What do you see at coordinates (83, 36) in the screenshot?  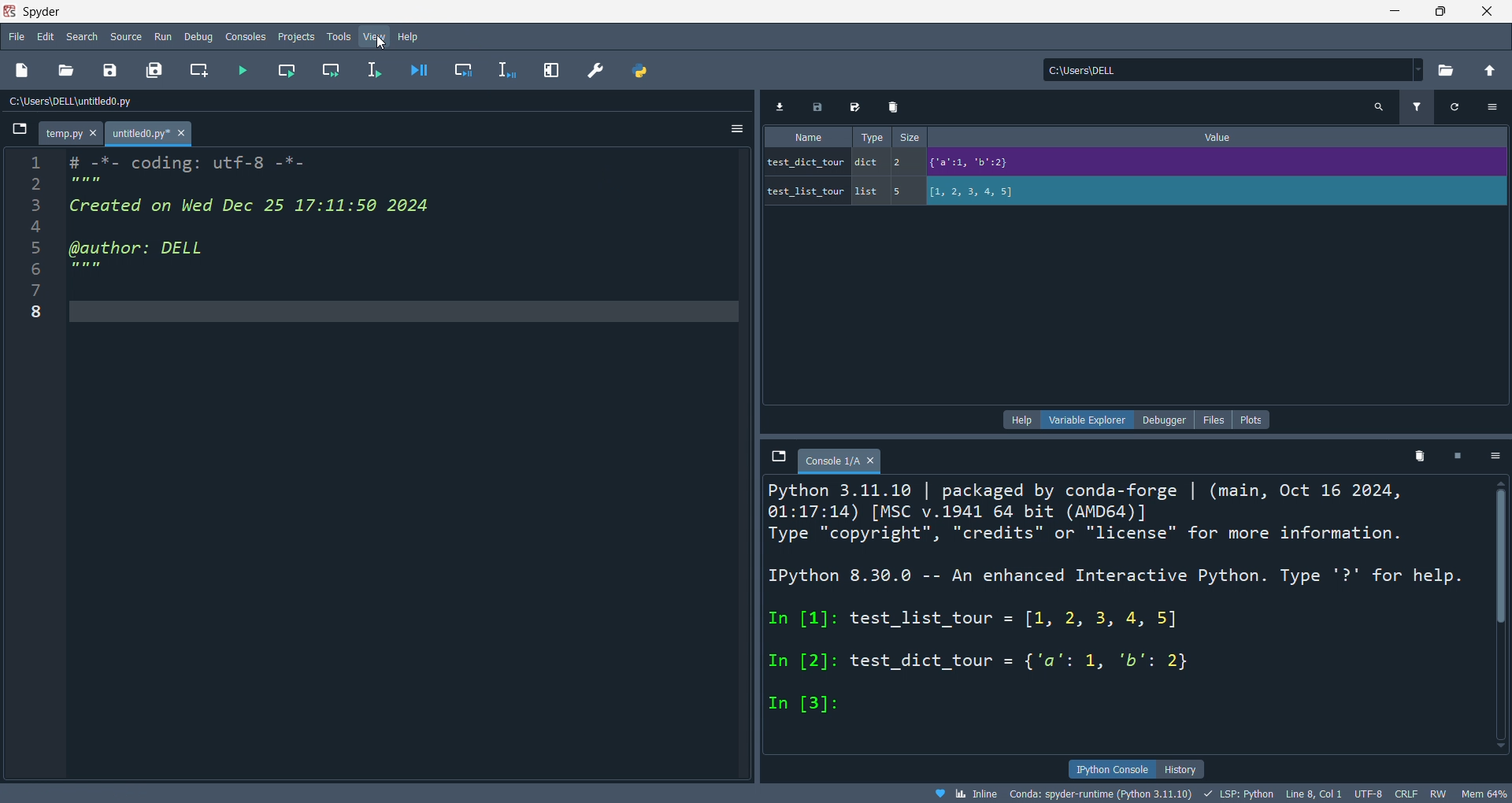 I see `search` at bounding box center [83, 36].